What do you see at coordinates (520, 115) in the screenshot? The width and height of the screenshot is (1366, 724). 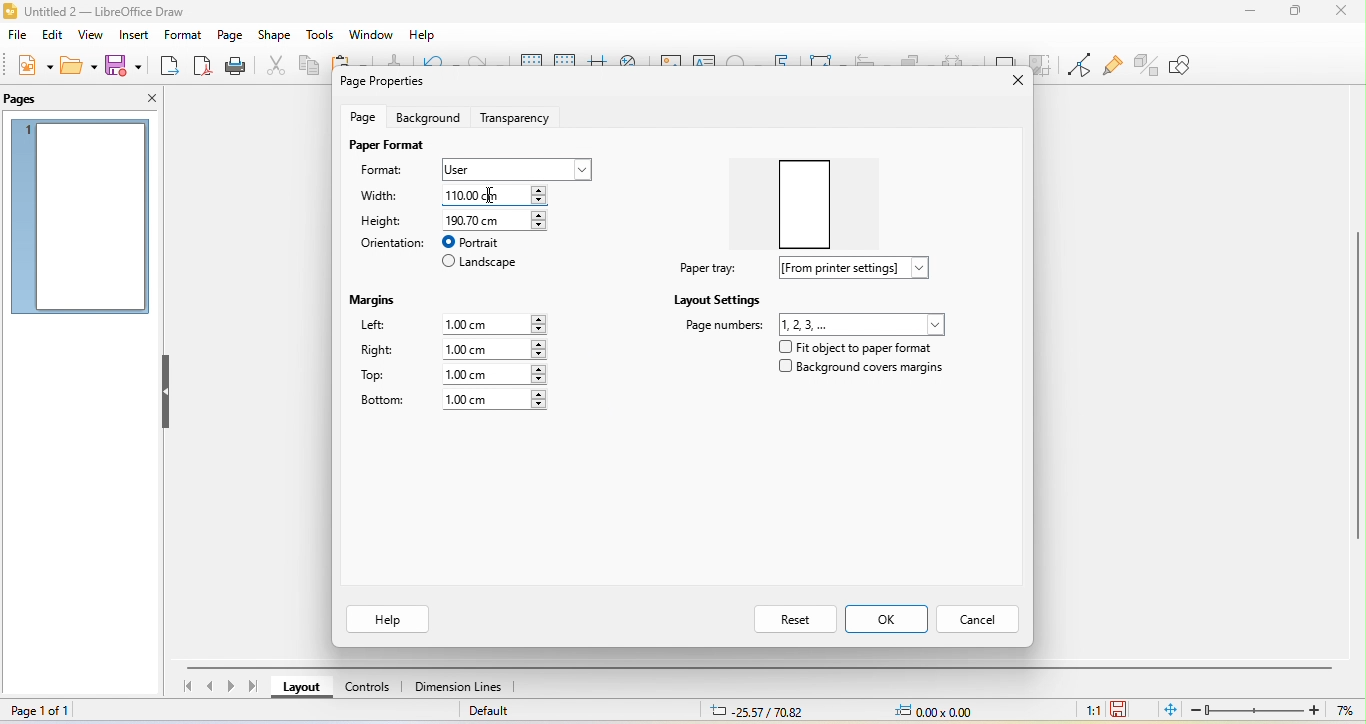 I see `transparency` at bounding box center [520, 115].